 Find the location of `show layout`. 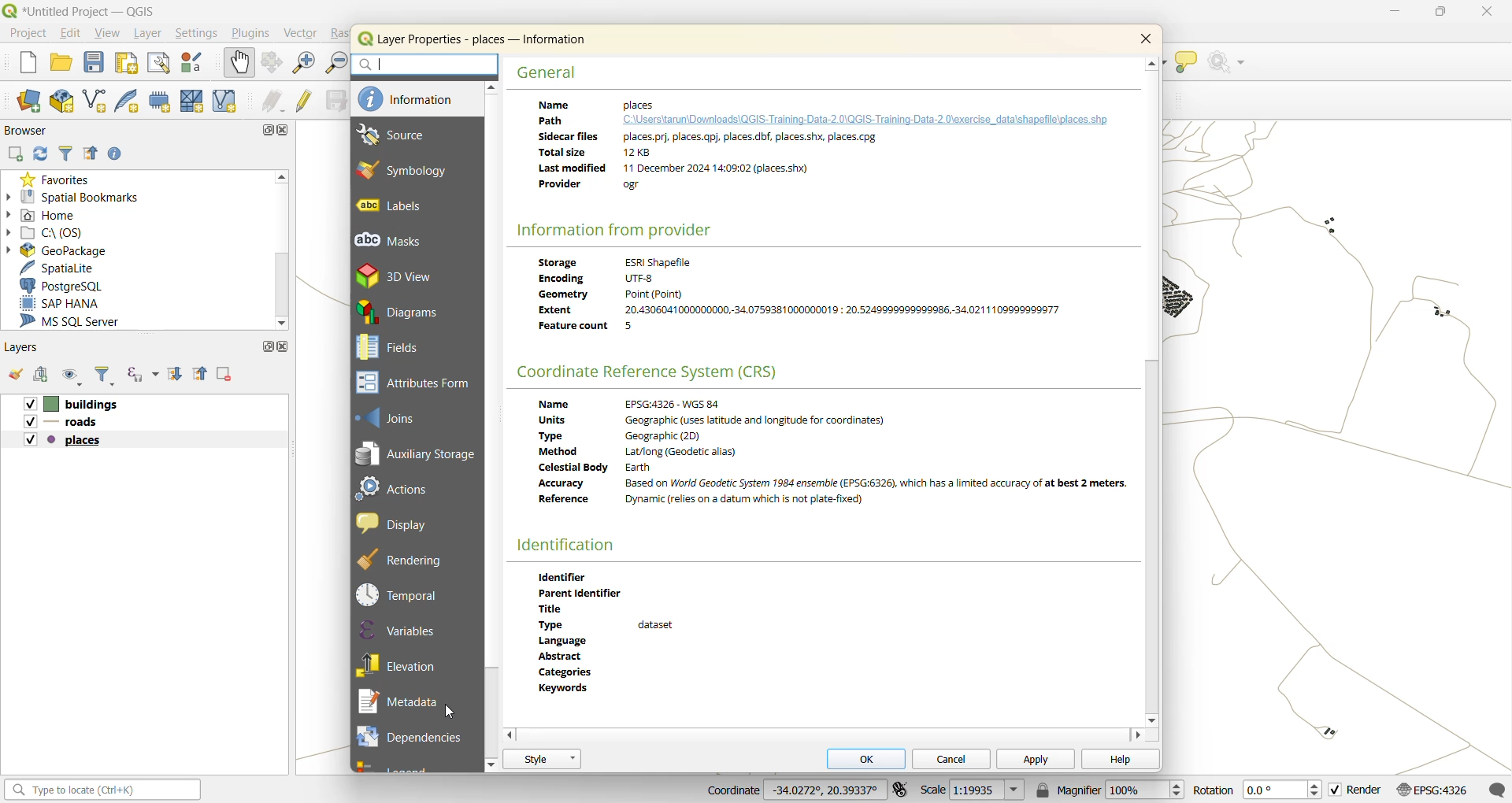

show layout is located at coordinates (161, 64).